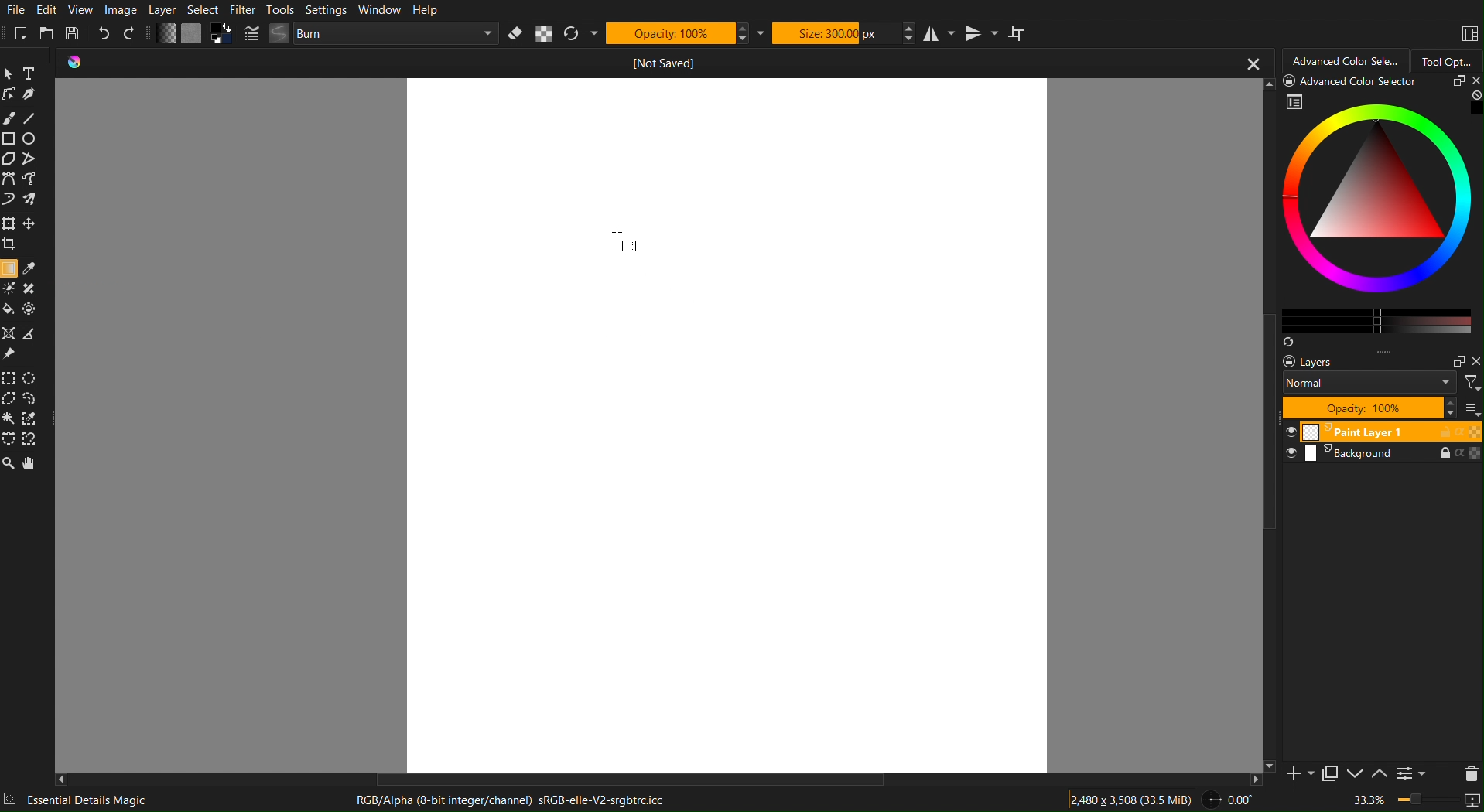  Describe the element at coordinates (1229, 800) in the screenshot. I see `Angle` at that location.